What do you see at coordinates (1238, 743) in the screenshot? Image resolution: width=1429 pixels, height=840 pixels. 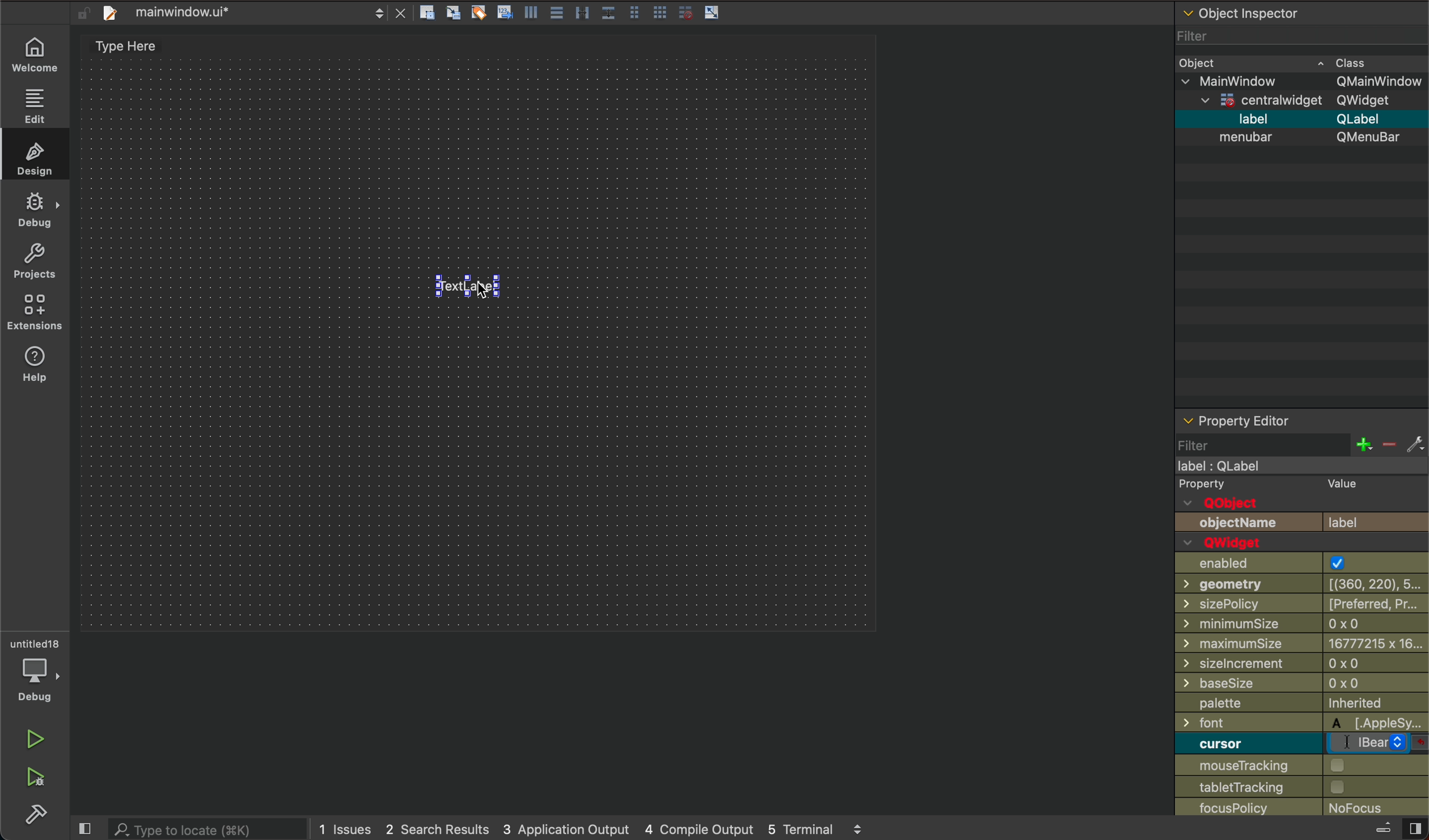 I see `curosor` at bounding box center [1238, 743].